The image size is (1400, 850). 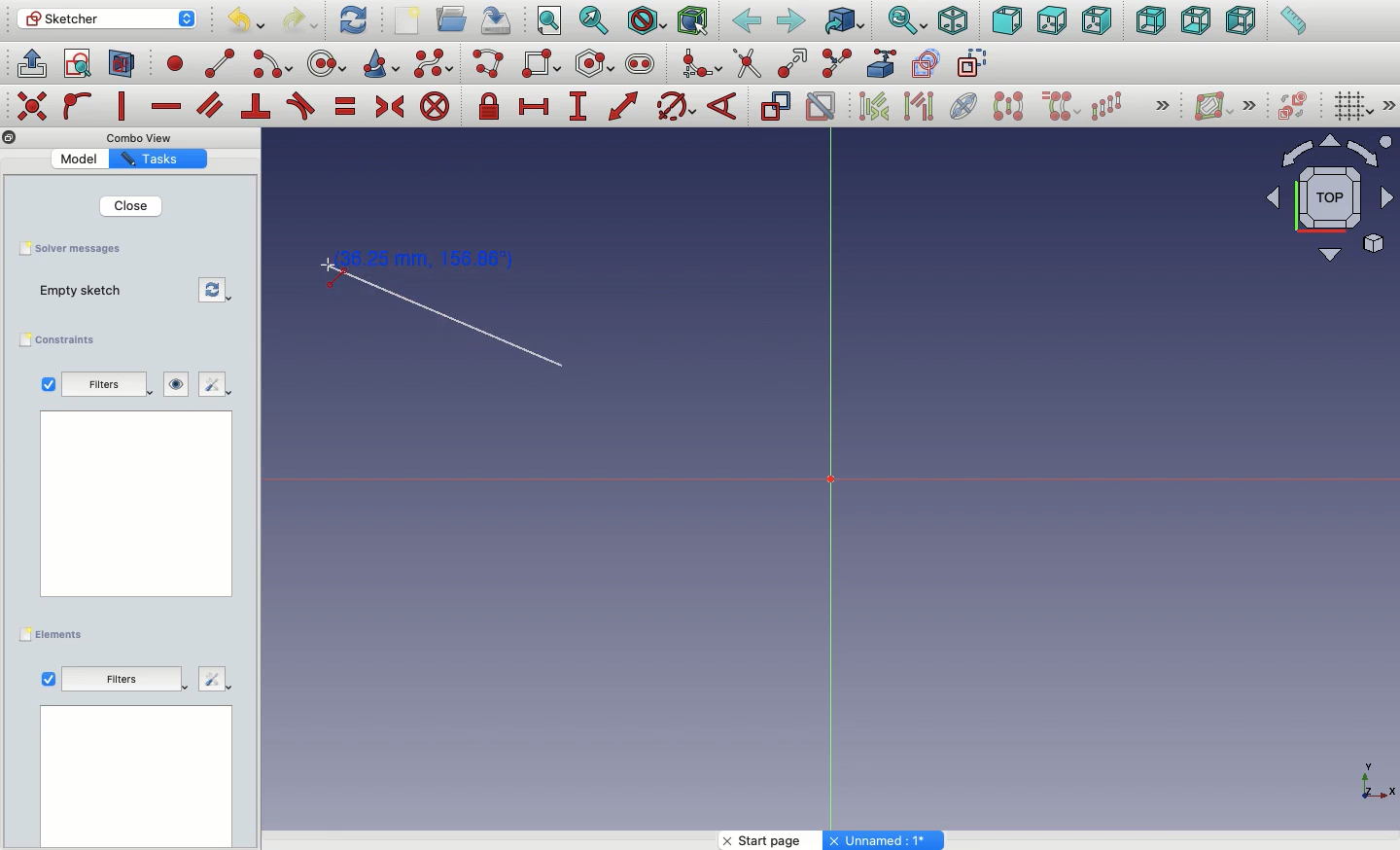 What do you see at coordinates (301, 20) in the screenshot?
I see `Redo` at bounding box center [301, 20].